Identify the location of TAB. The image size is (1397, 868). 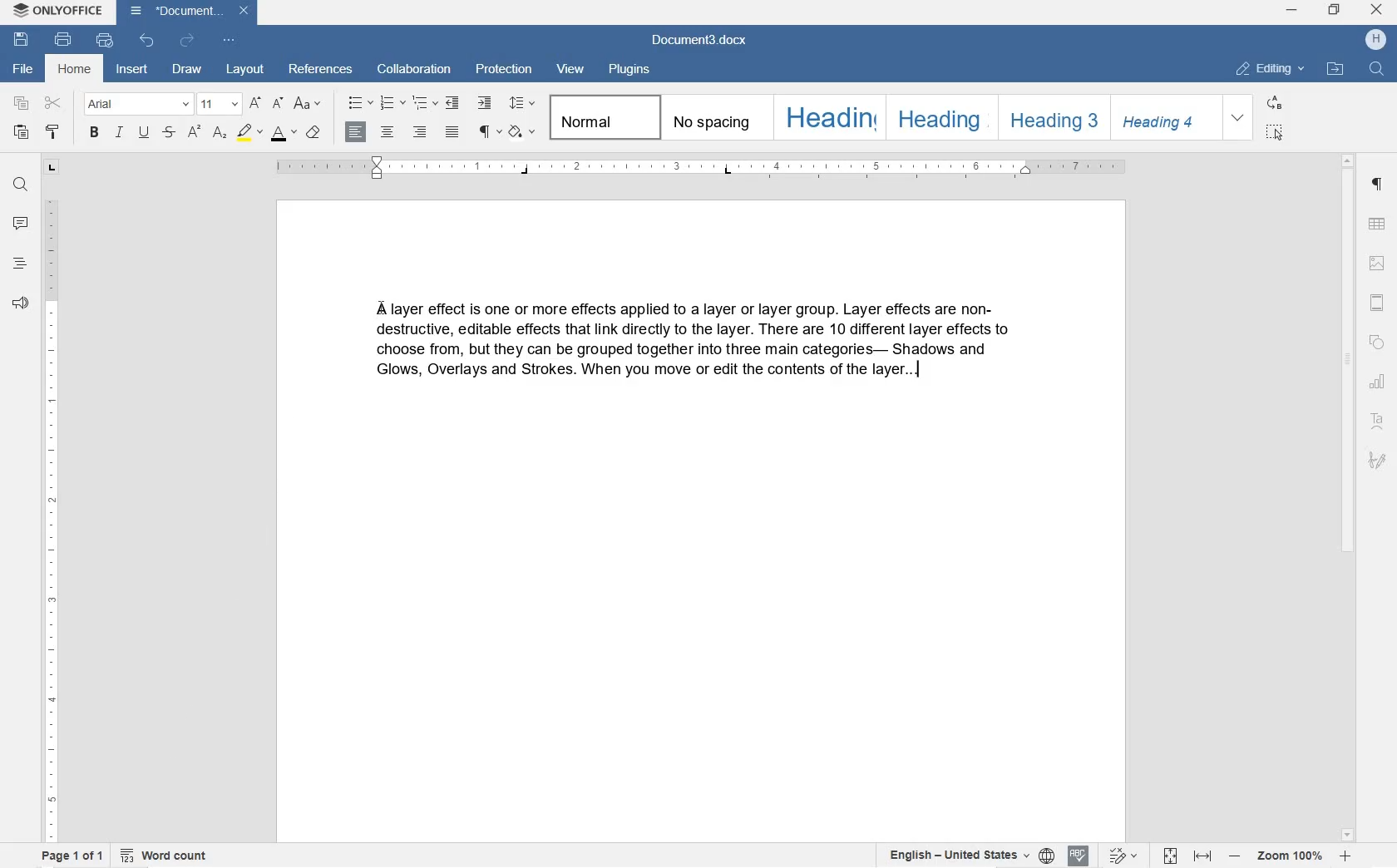
(51, 170).